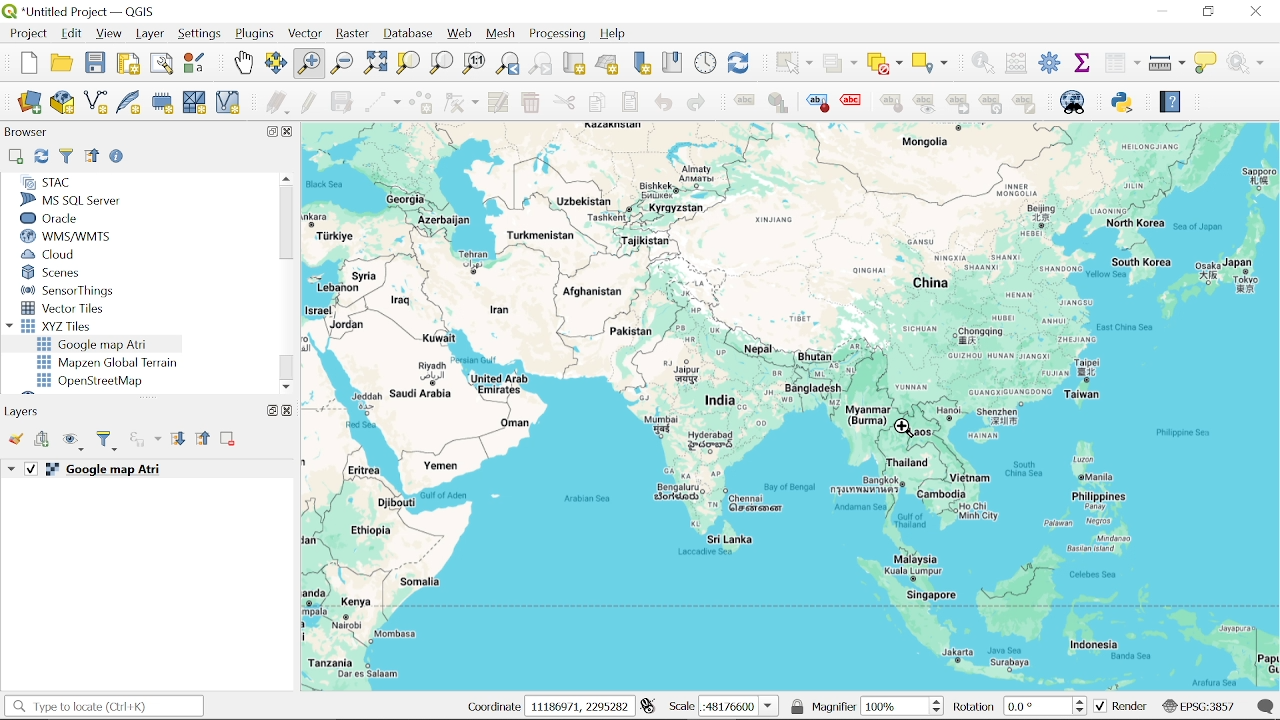  What do you see at coordinates (68, 290) in the screenshot?
I see `Sensor things` at bounding box center [68, 290].